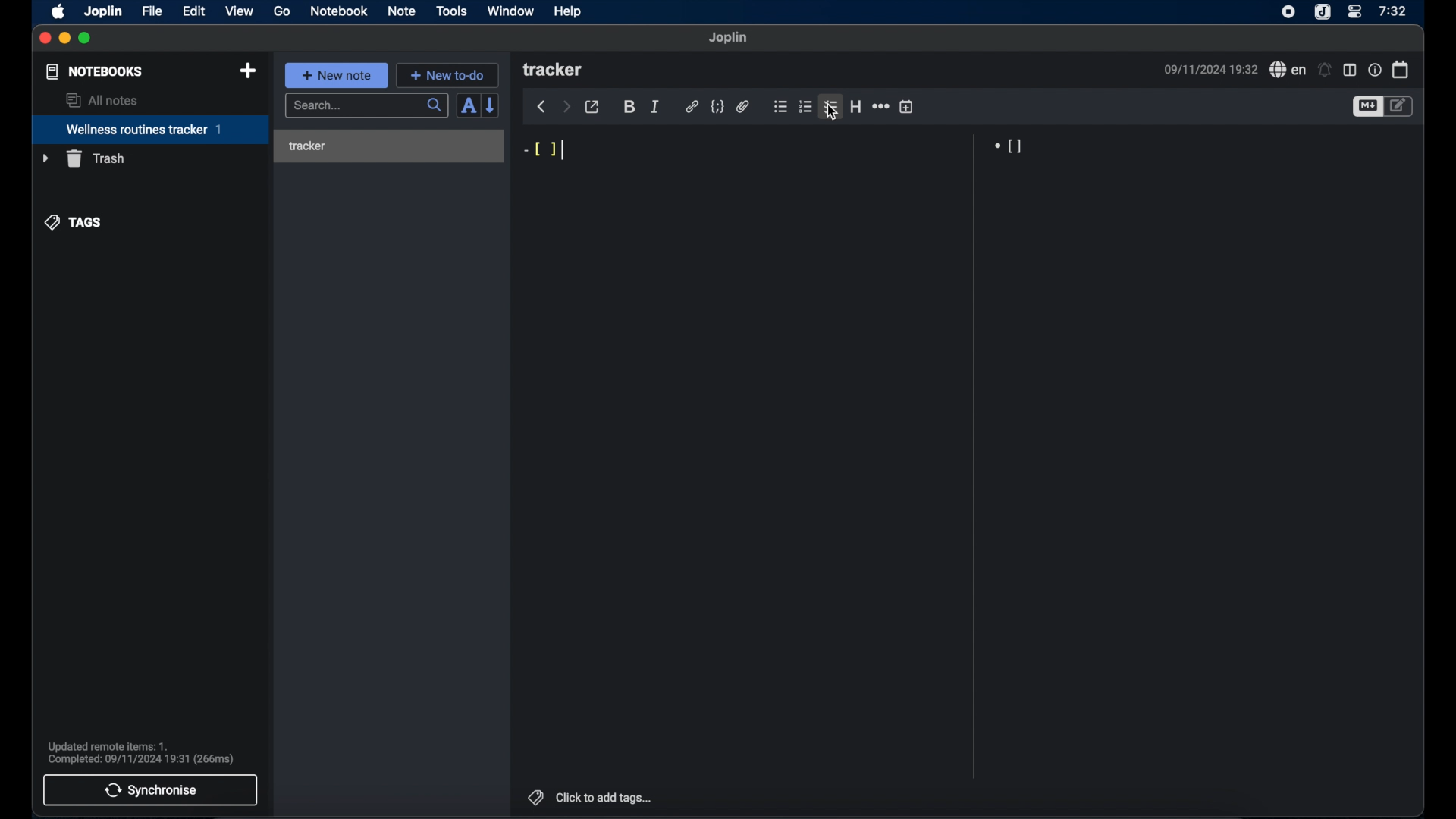 This screenshot has height=819, width=1456. I want to click on tags, so click(533, 795).